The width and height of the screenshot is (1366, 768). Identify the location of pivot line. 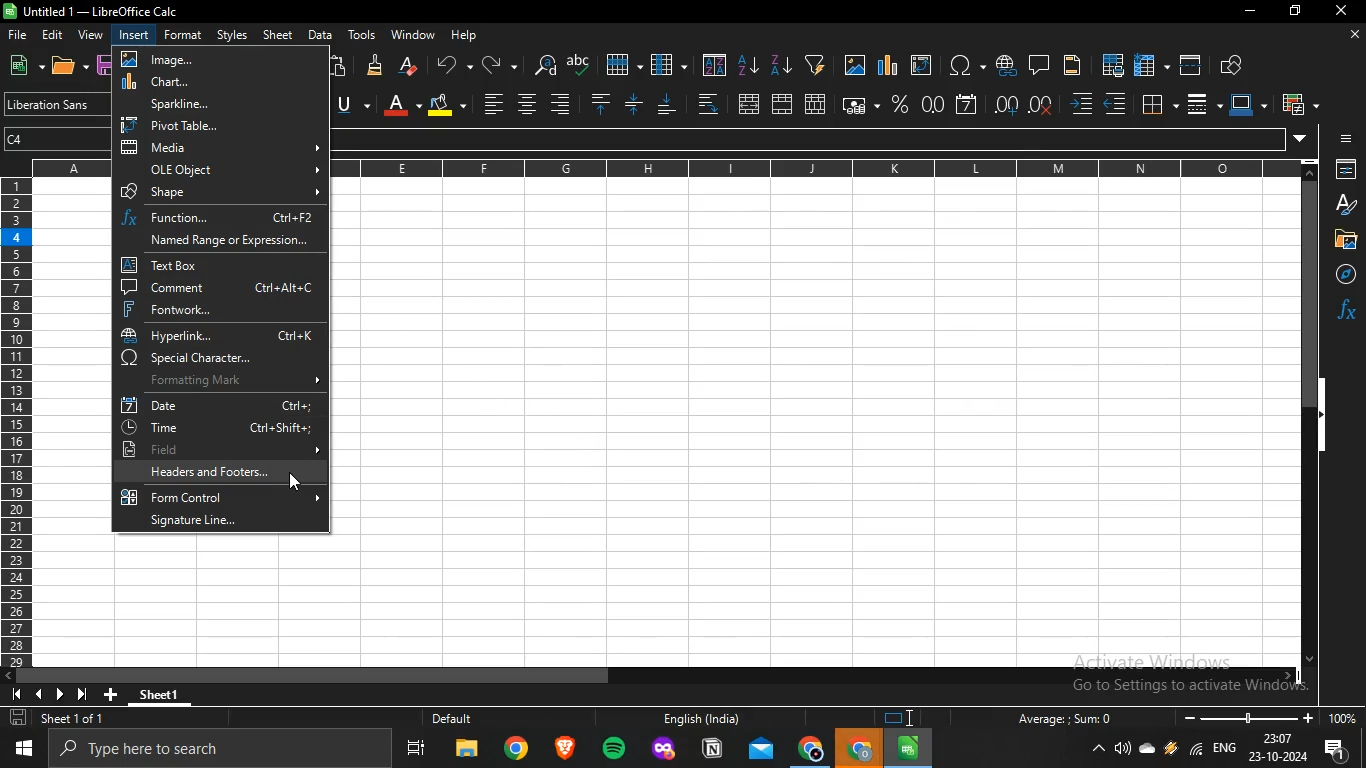
(215, 125).